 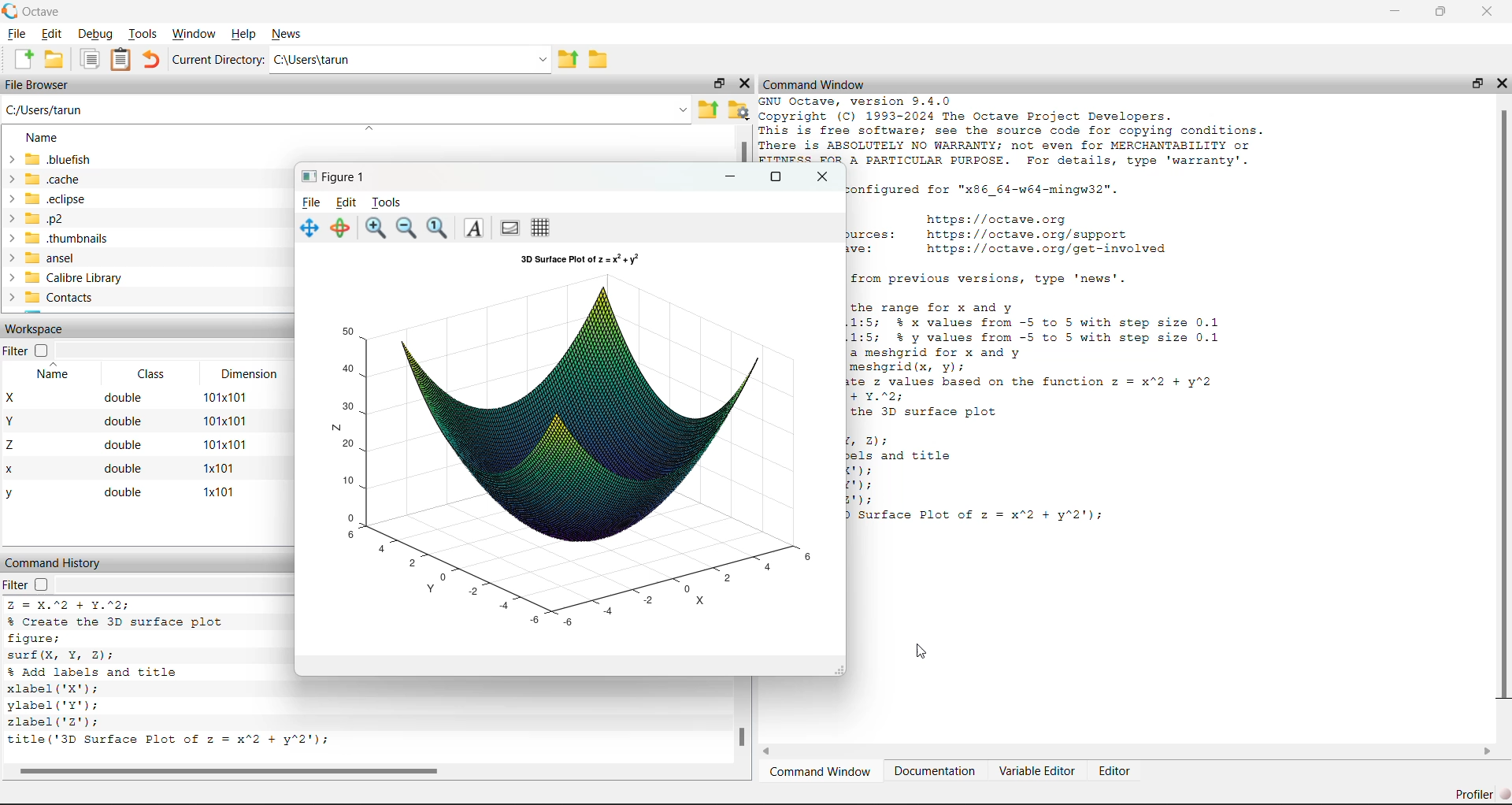 What do you see at coordinates (934, 772) in the screenshot?
I see `Documentation` at bounding box center [934, 772].